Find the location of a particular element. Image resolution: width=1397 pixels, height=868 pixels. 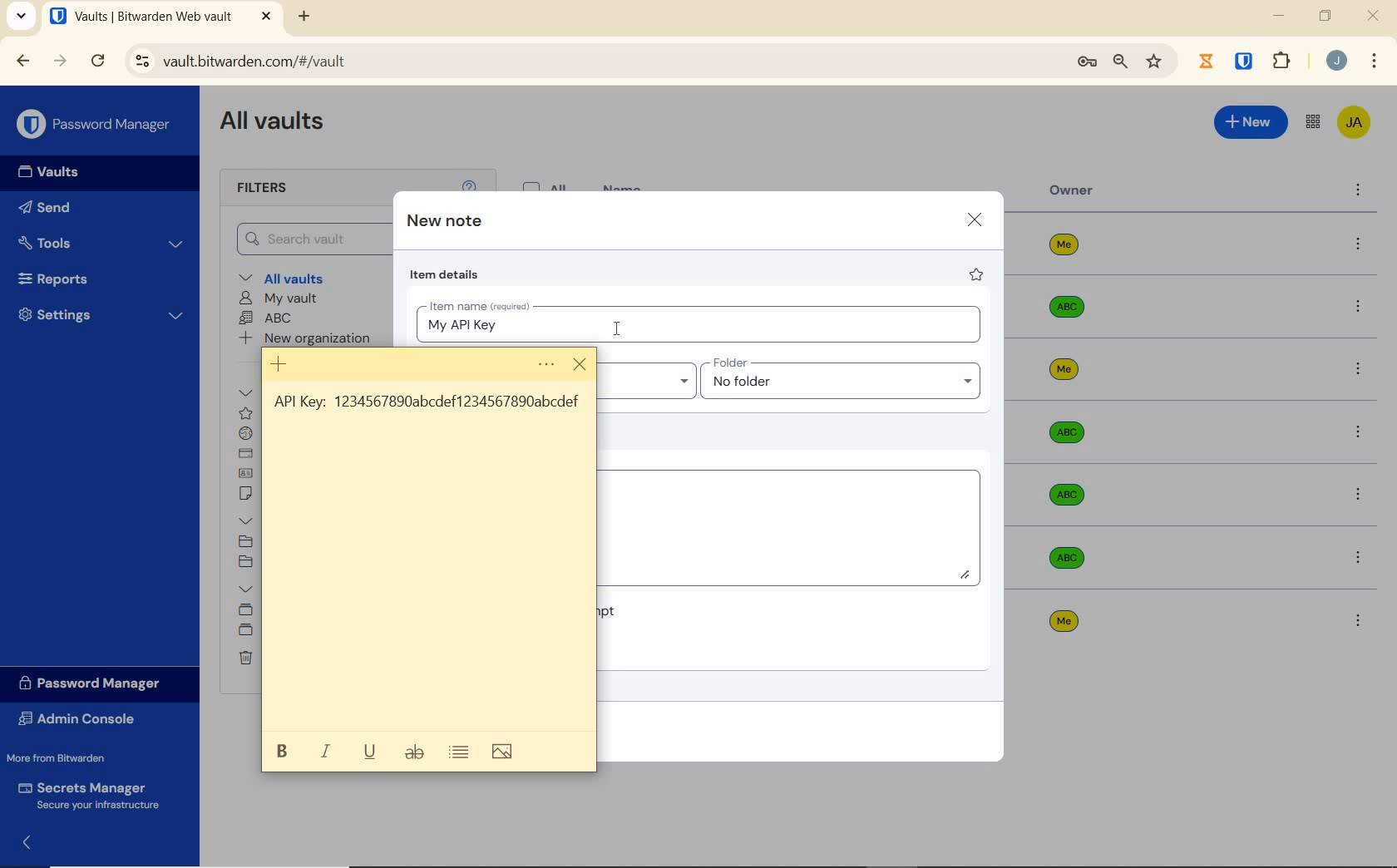

SOCIAL MEDIA is located at coordinates (247, 542).